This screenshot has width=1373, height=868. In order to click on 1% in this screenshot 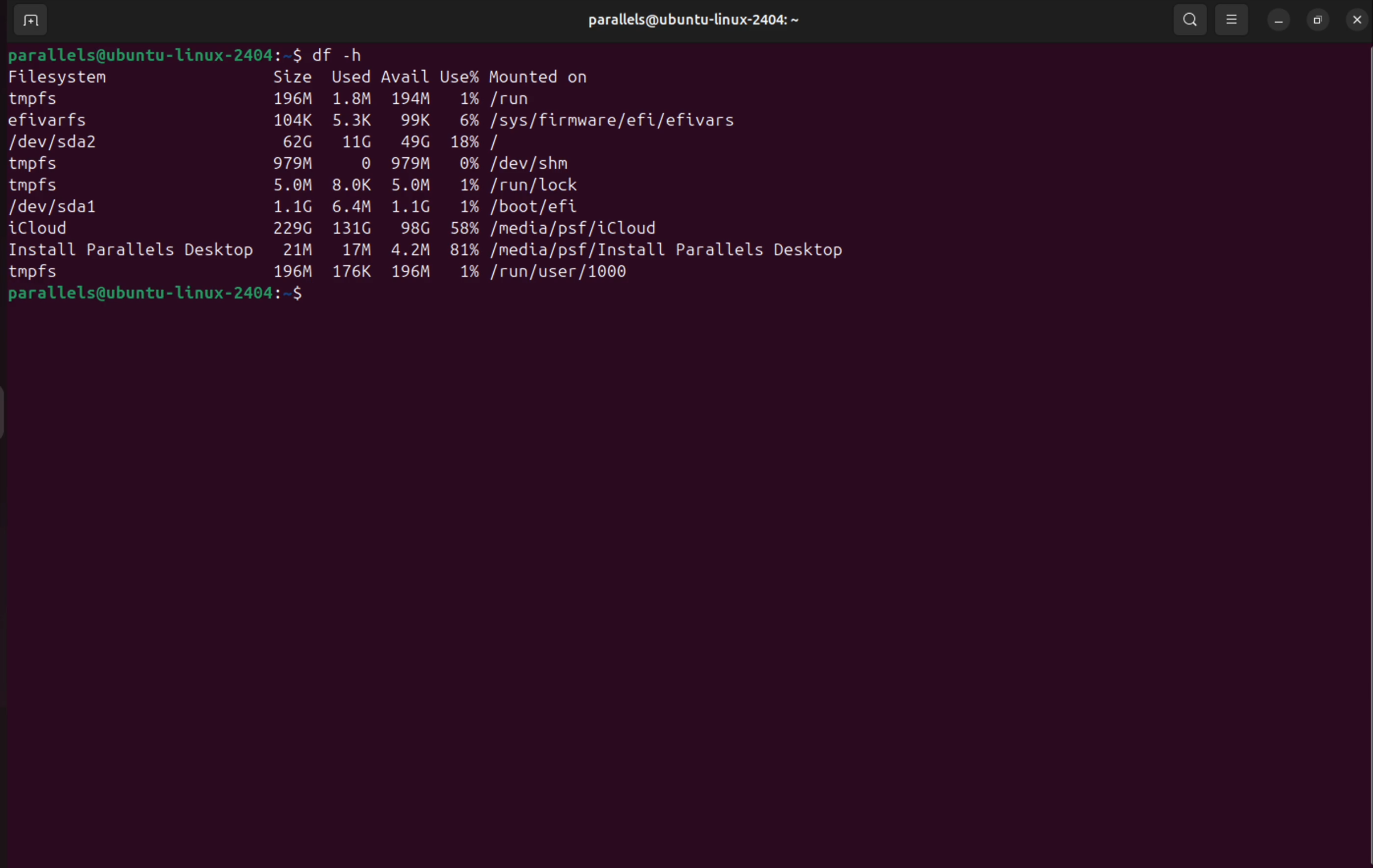, I will do `click(470, 207)`.